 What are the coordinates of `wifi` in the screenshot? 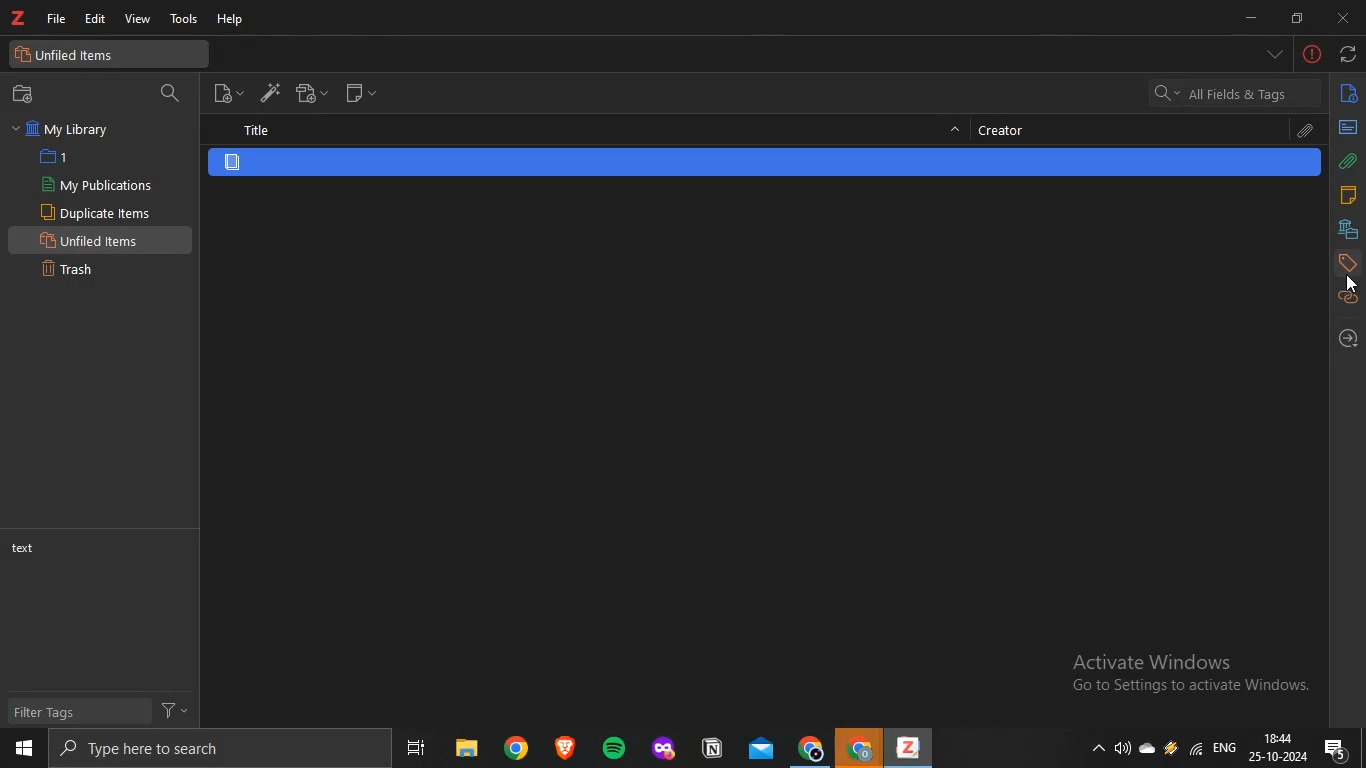 It's located at (1198, 749).